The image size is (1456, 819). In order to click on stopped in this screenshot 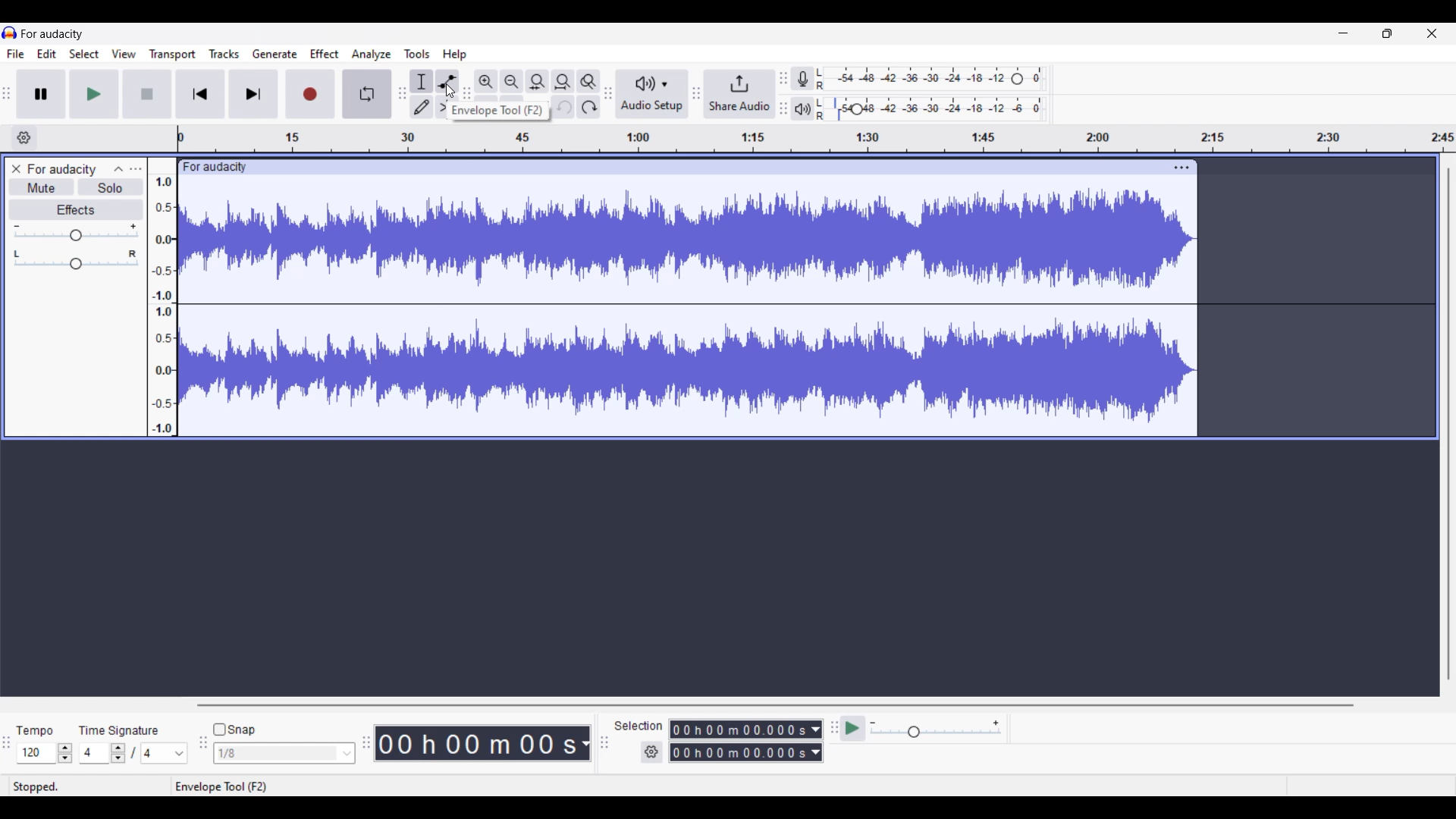, I will do `click(36, 787)`.